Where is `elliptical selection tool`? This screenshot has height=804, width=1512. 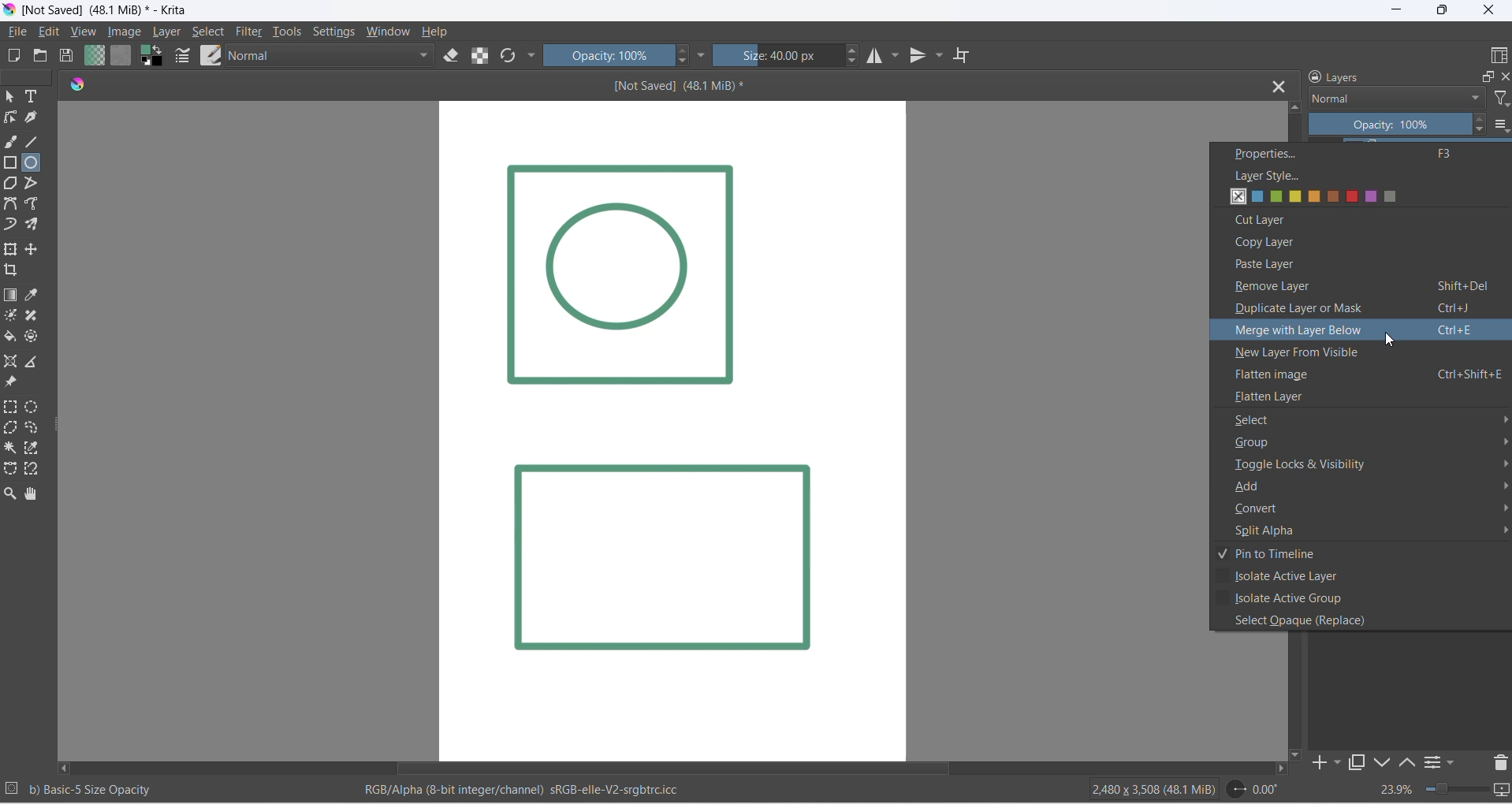
elliptical selection tool is located at coordinates (32, 406).